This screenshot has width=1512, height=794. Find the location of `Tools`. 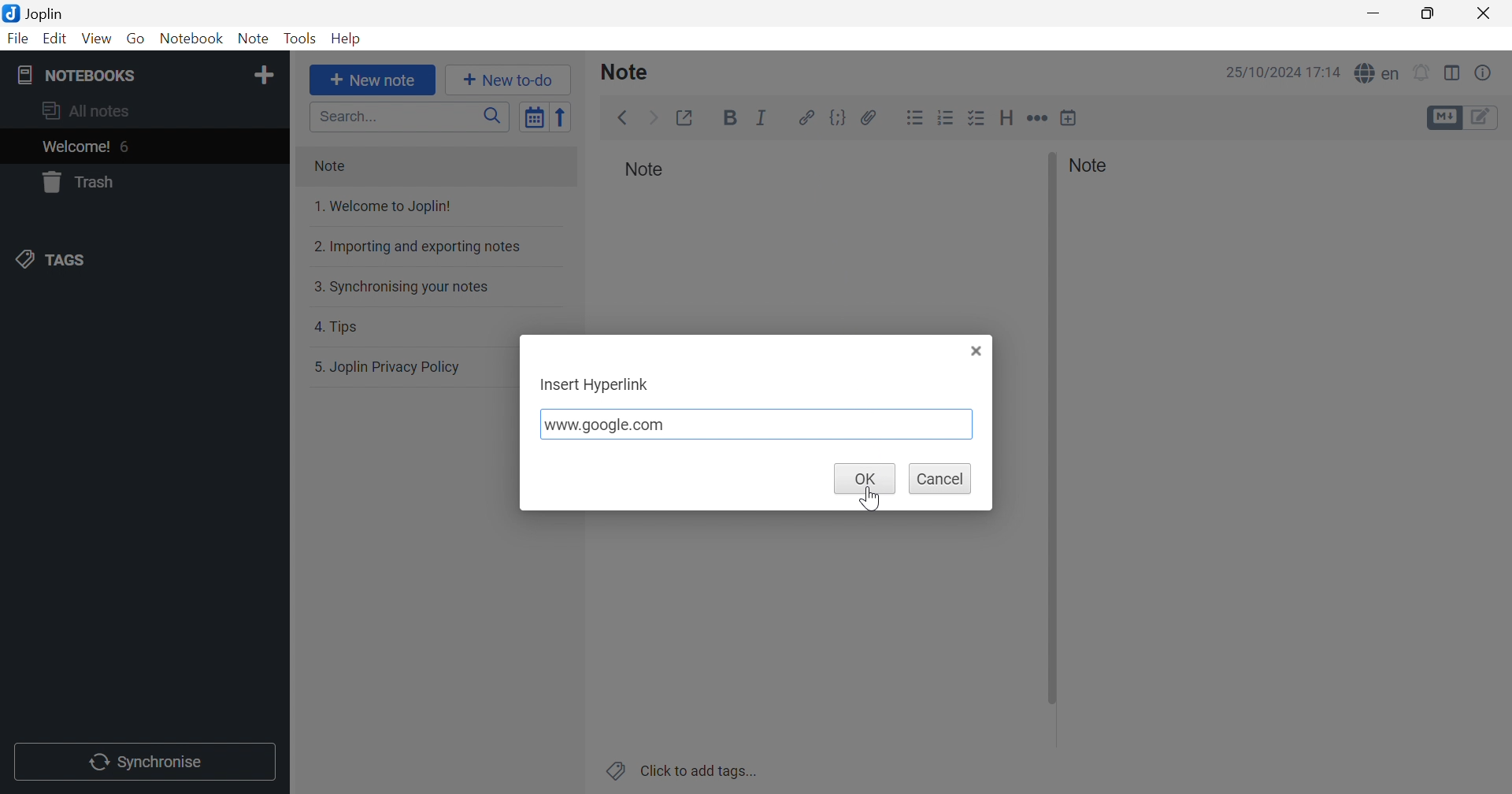

Tools is located at coordinates (299, 39).